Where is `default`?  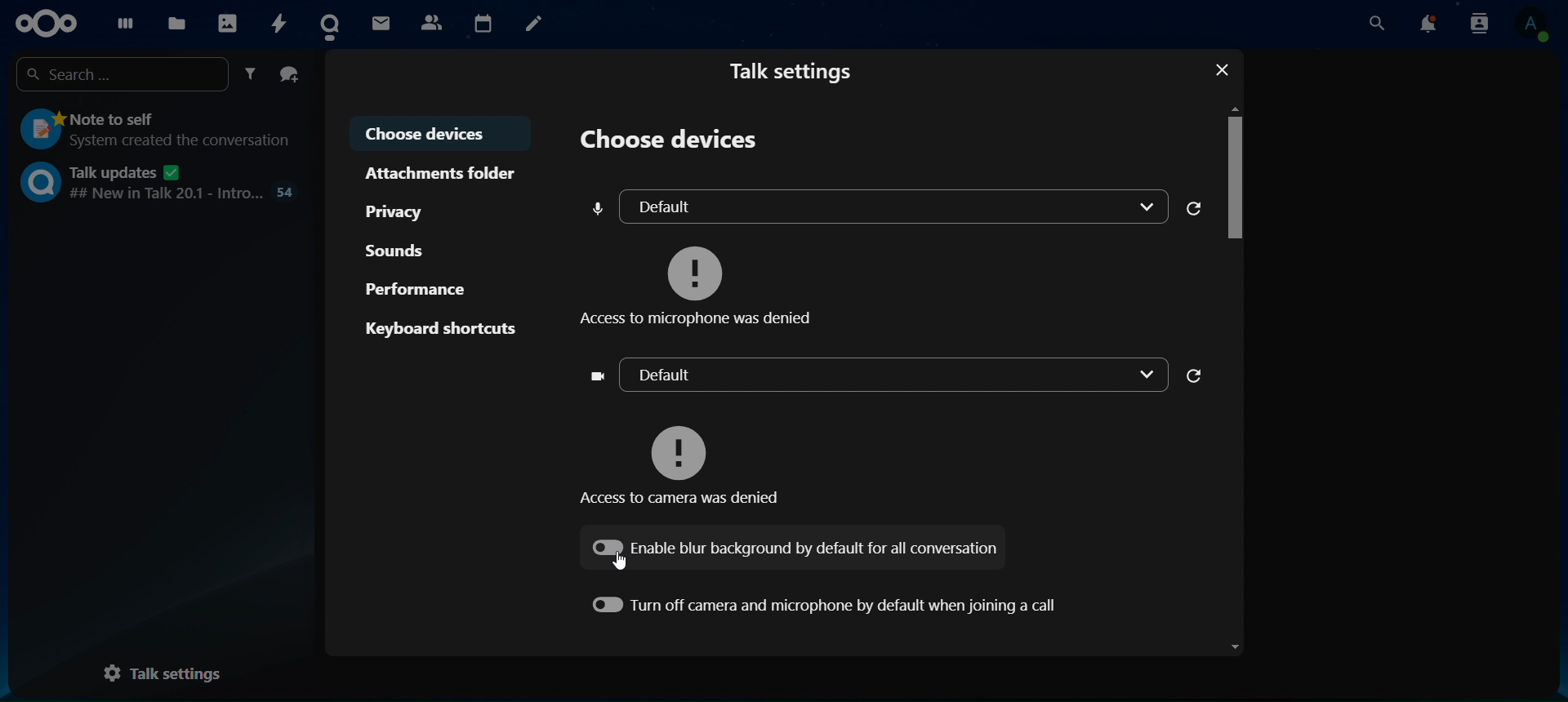 default is located at coordinates (871, 375).